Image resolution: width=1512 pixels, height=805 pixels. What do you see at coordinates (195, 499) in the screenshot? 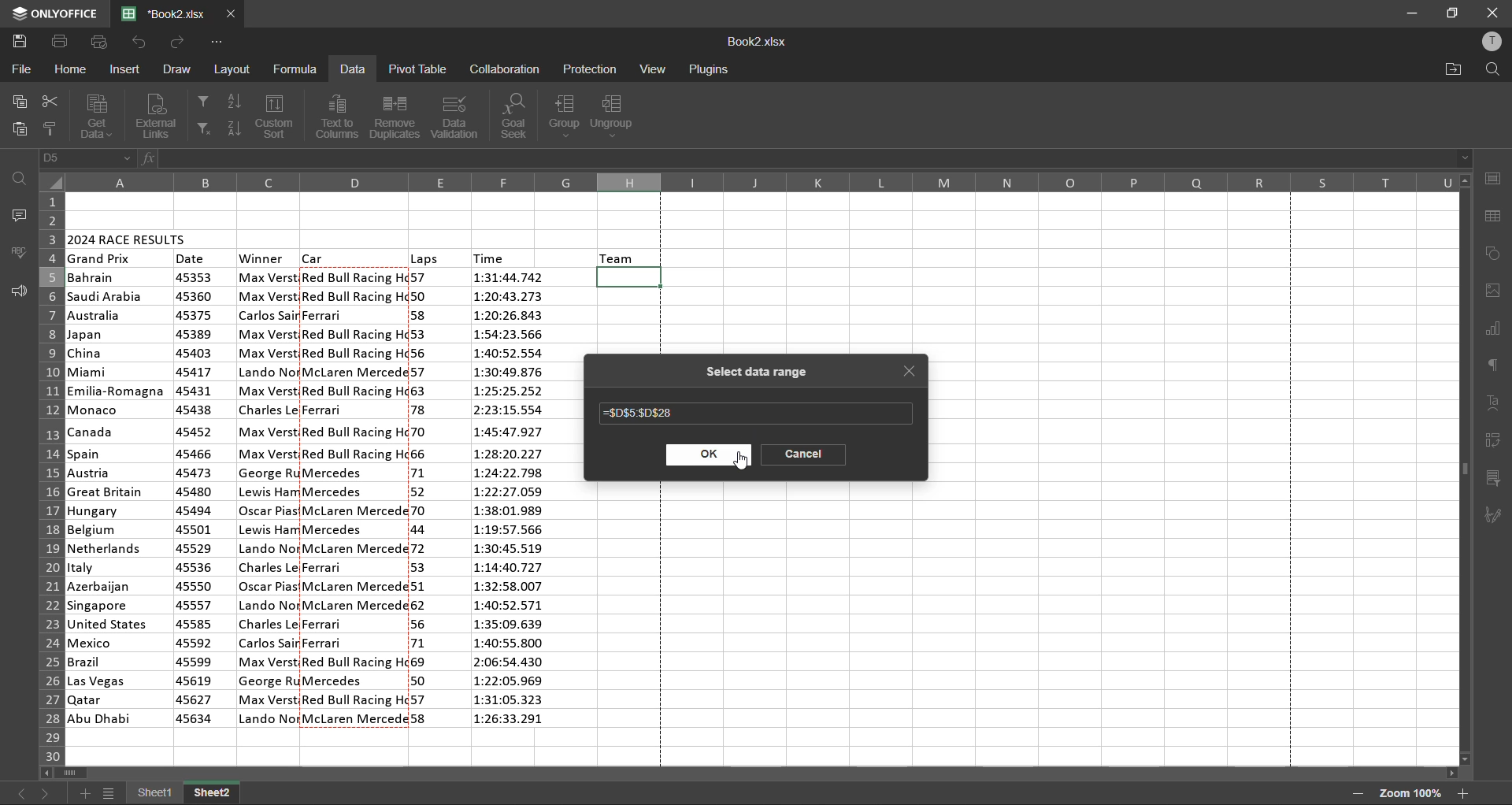
I see `date` at bounding box center [195, 499].